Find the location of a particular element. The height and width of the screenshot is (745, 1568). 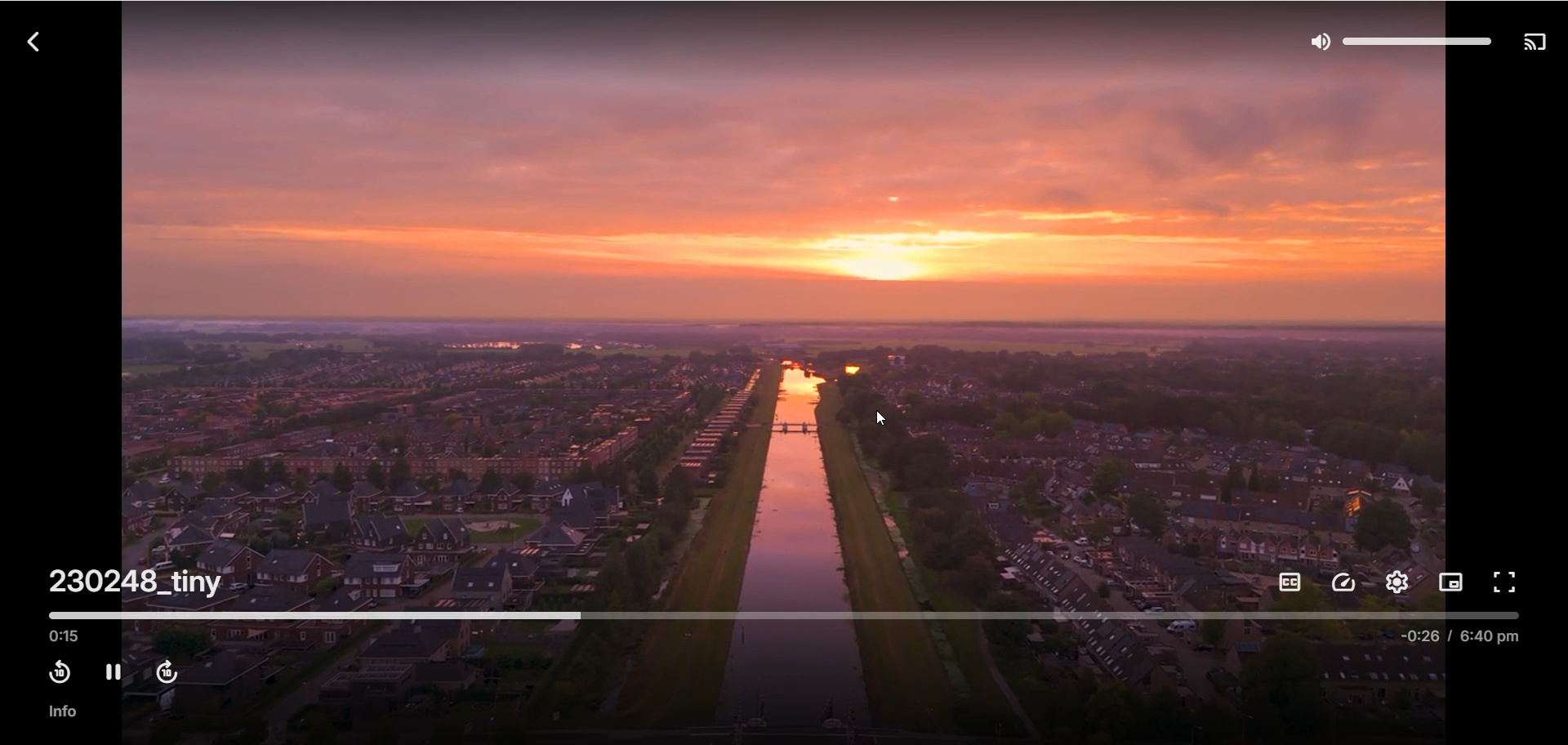

setting is located at coordinates (1397, 586).